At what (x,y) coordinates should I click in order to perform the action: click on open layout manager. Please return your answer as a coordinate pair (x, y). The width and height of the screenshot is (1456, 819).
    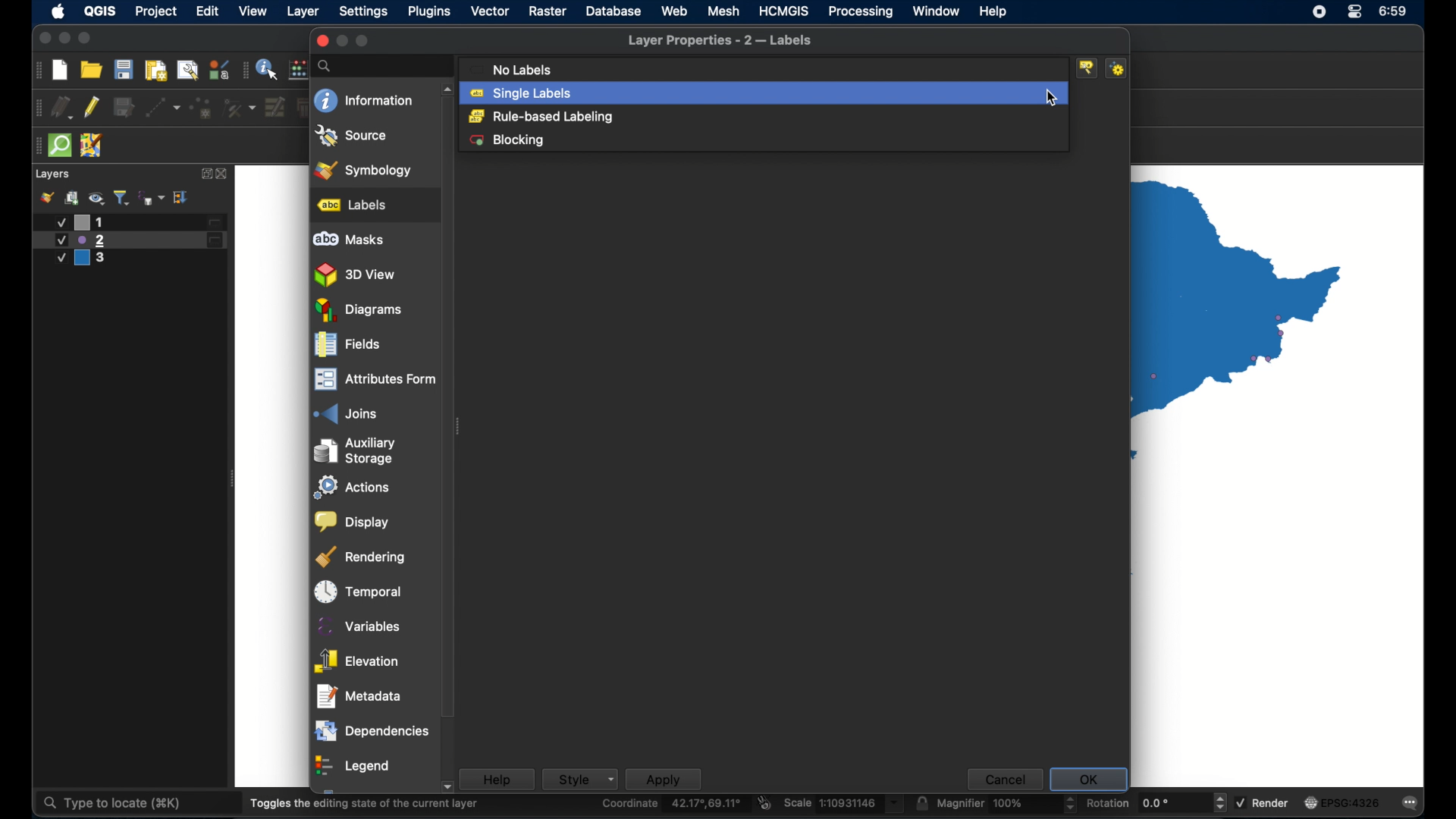
    Looking at the image, I should click on (187, 71).